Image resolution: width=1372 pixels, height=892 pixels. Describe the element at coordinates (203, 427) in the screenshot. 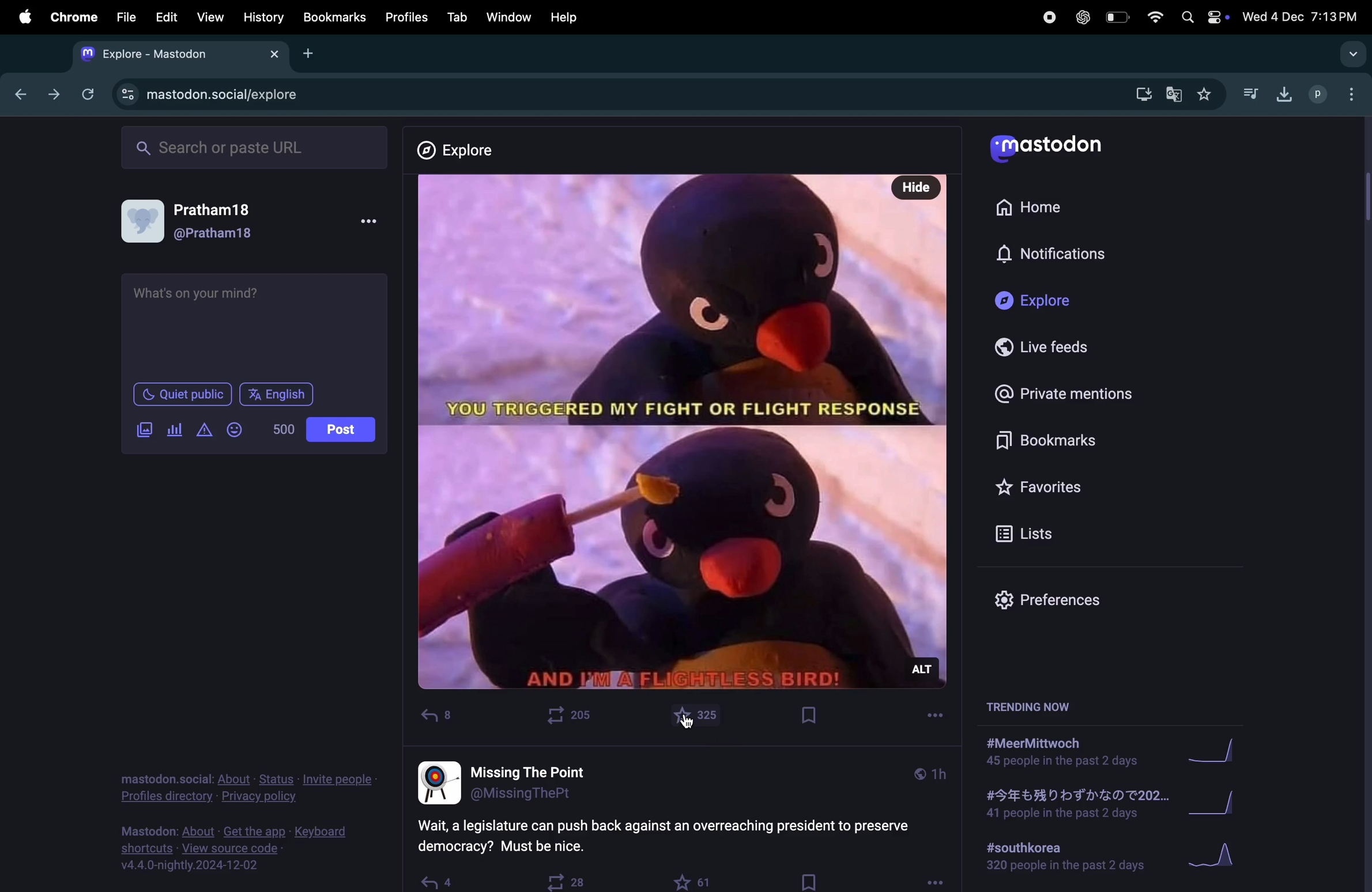

I see `alert` at that location.